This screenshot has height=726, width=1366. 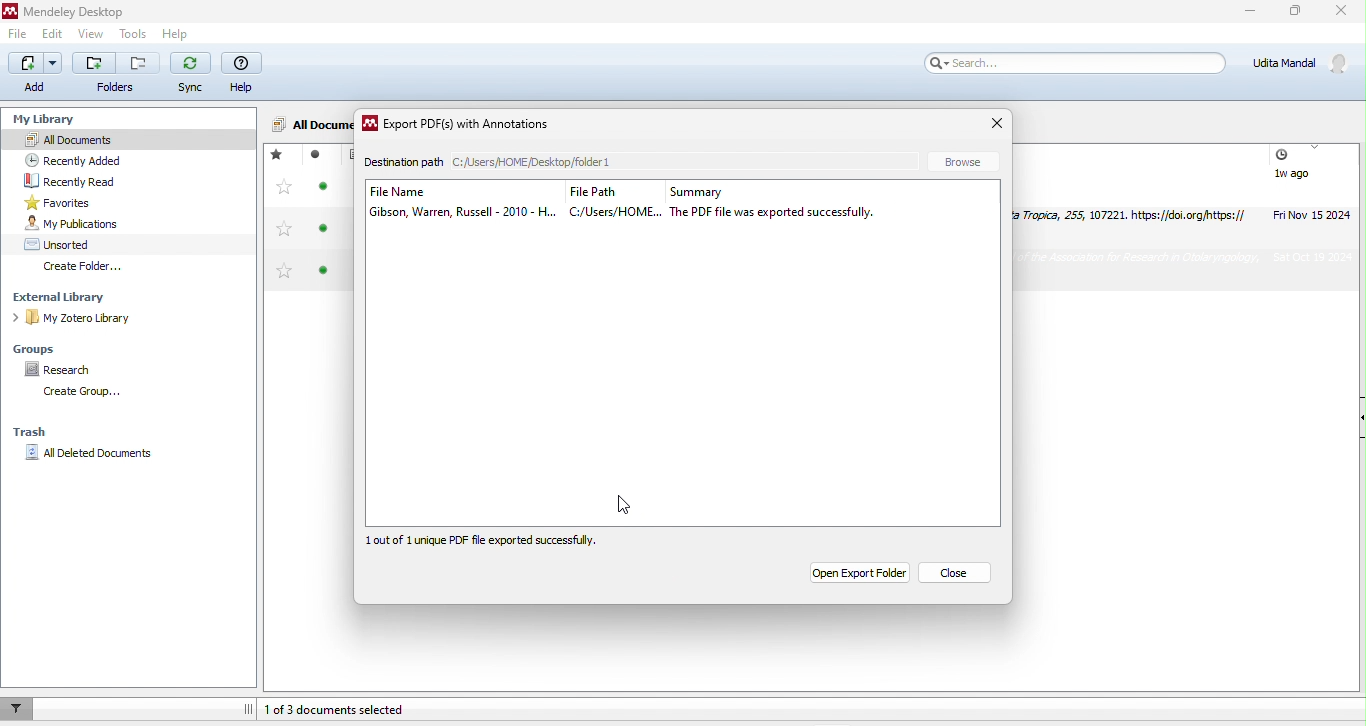 I want to click on Summary
... The PDF file was exported successfully., so click(x=806, y=202).